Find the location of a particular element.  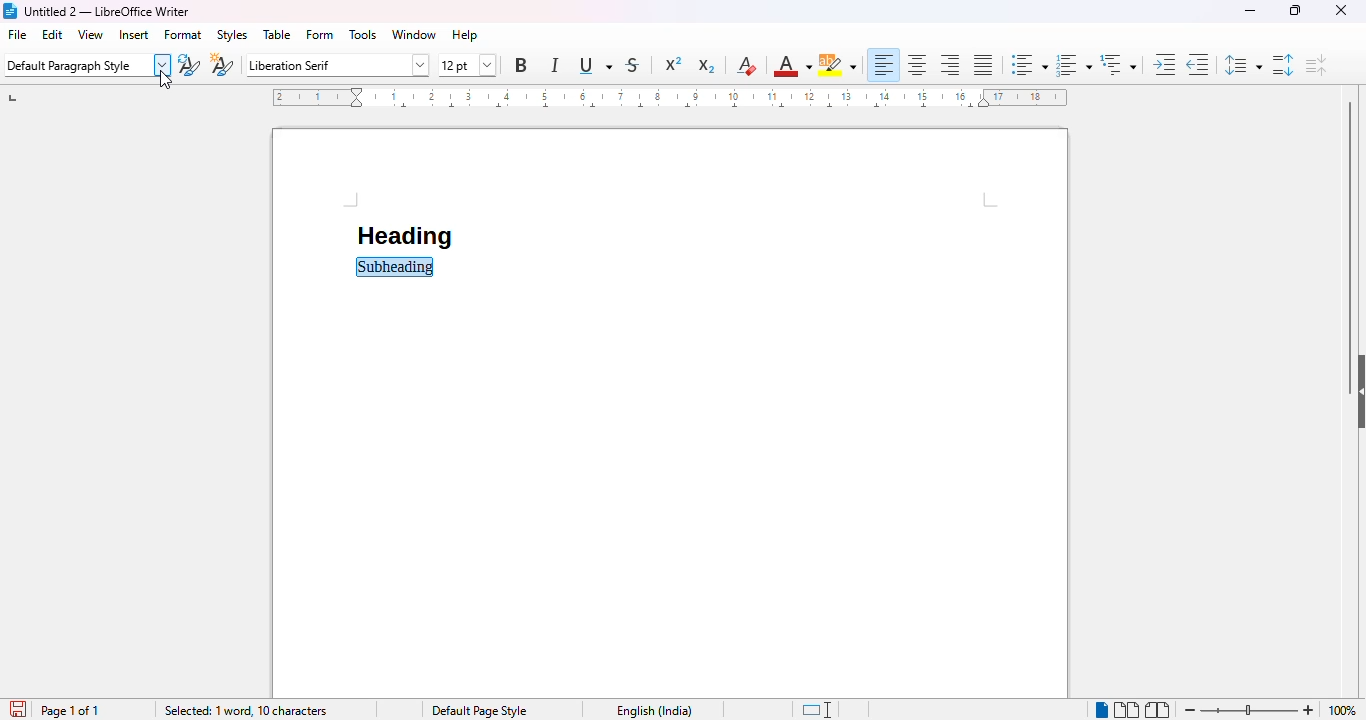

form is located at coordinates (320, 35).